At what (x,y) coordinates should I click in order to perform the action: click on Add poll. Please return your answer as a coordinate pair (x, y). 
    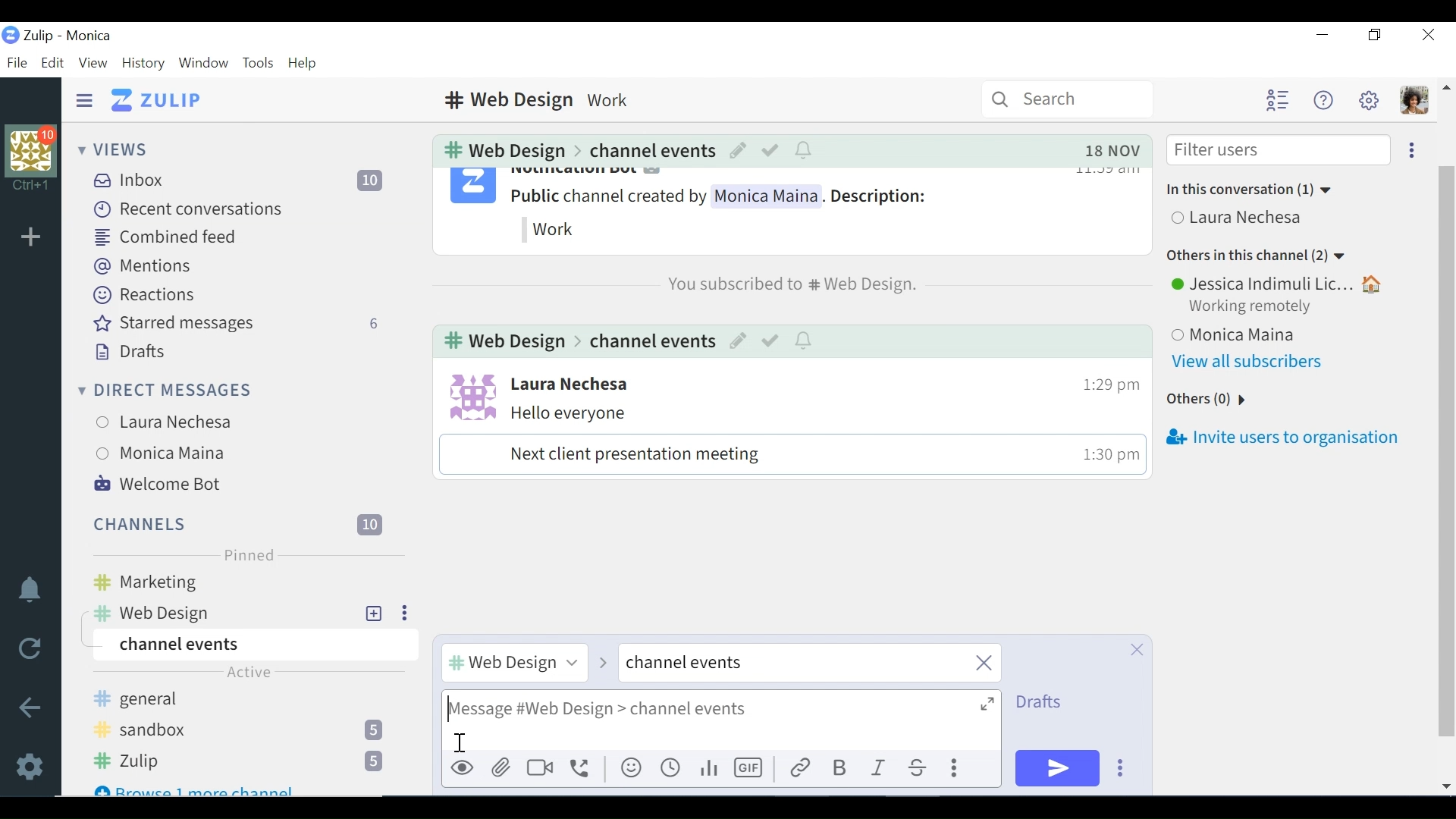
    Looking at the image, I should click on (708, 769).